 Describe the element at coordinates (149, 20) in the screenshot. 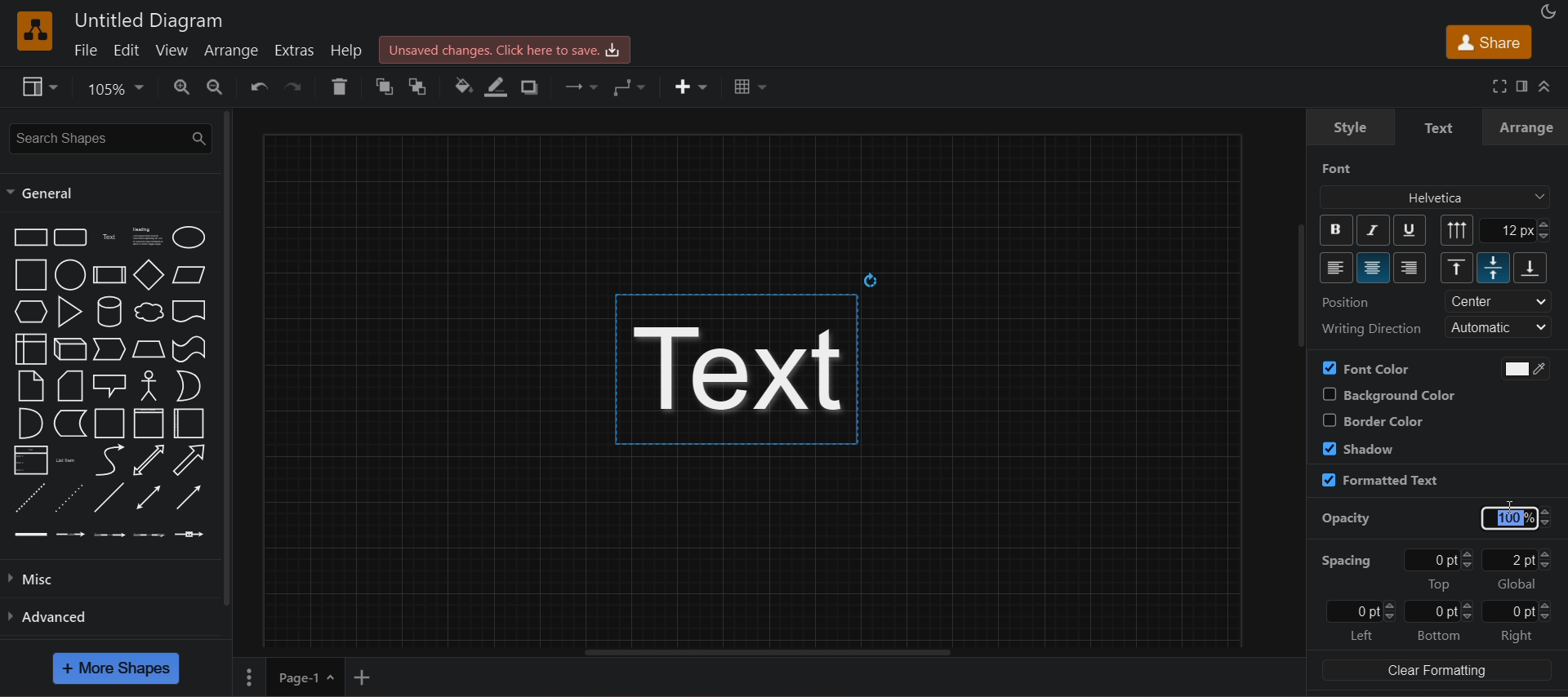

I see `title` at that location.